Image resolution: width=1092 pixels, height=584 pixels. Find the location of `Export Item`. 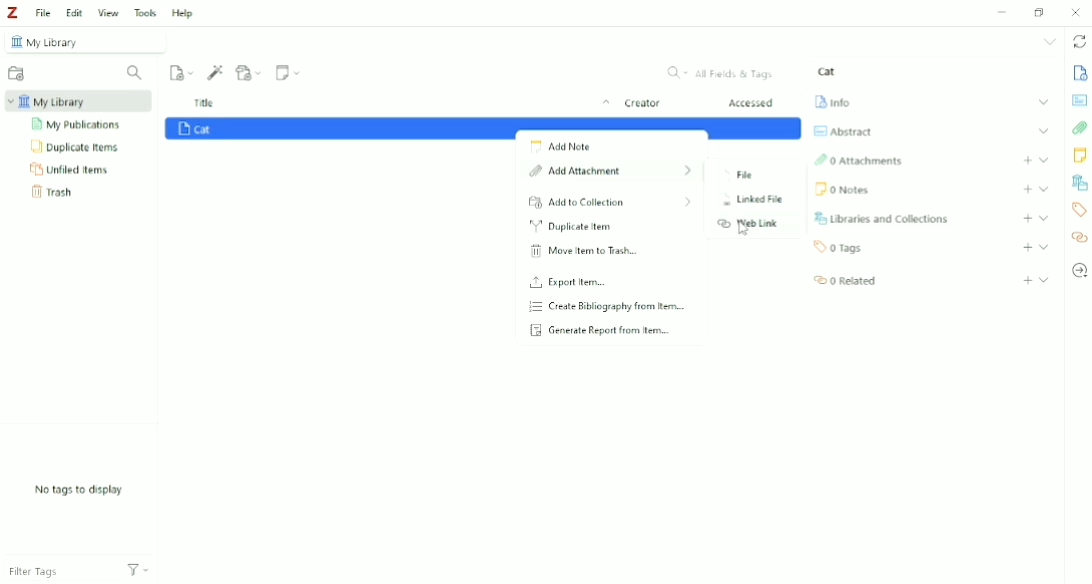

Export Item is located at coordinates (568, 282).